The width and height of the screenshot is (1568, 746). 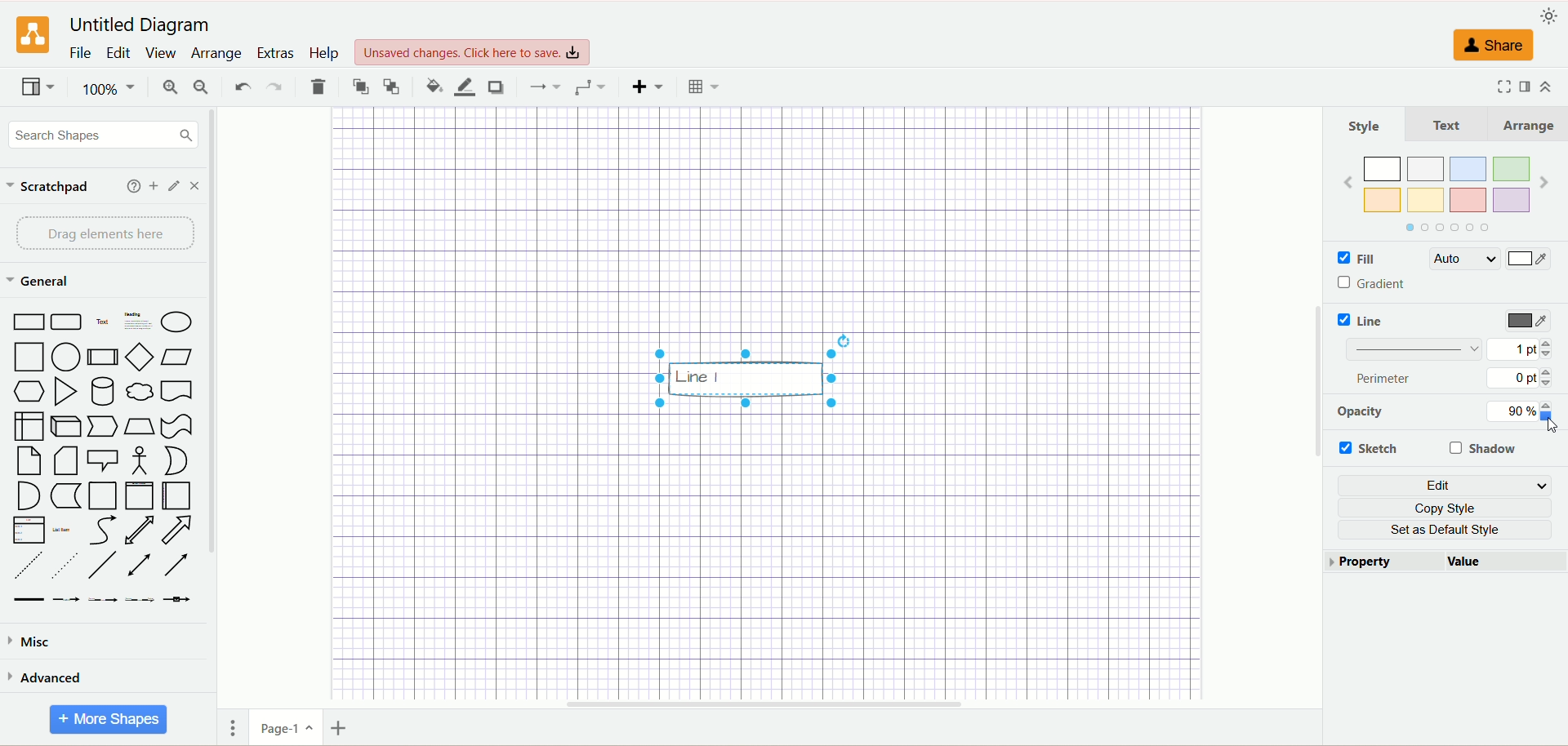 I want to click on Data storage, so click(x=65, y=496).